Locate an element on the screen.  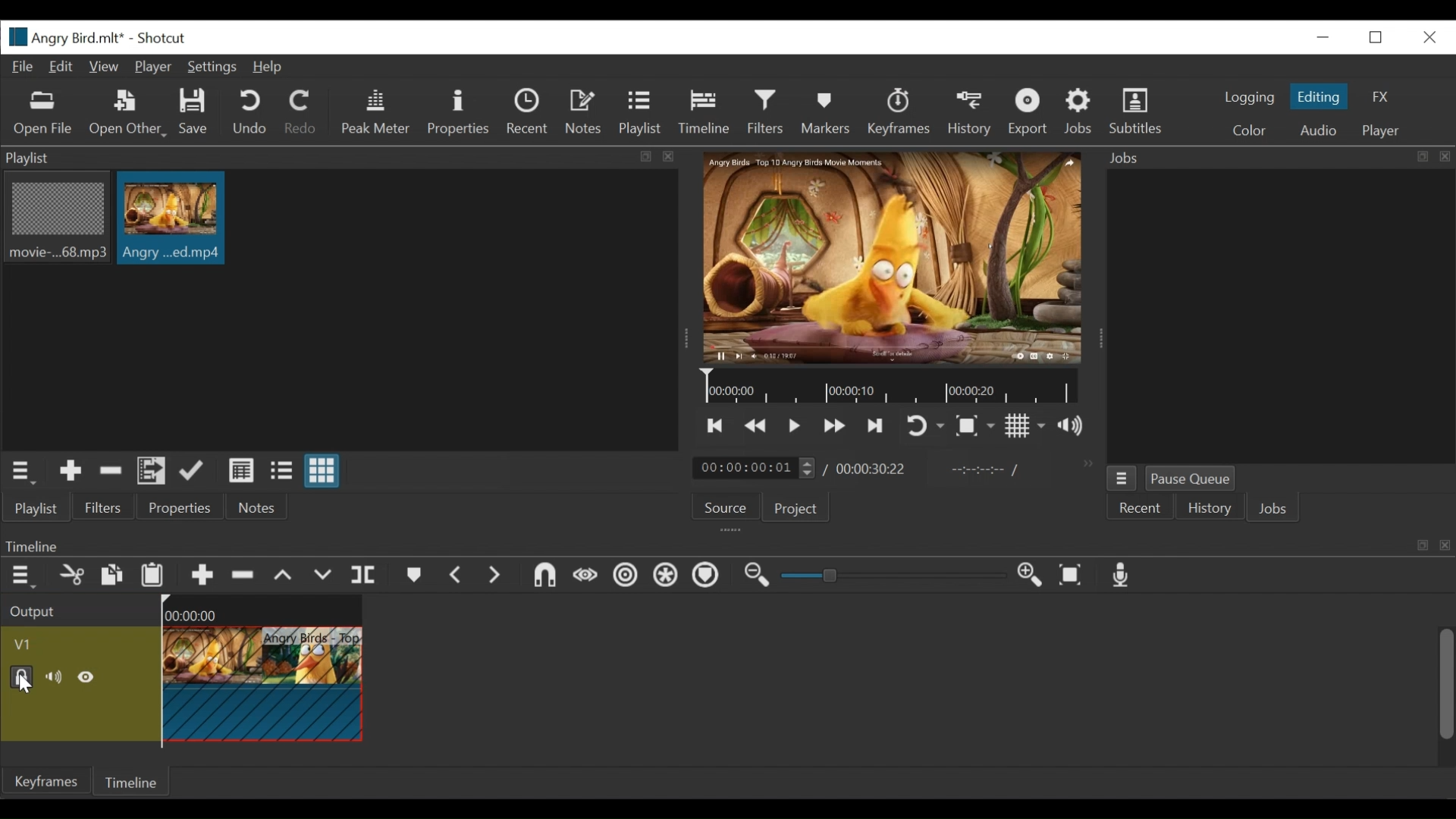
Skip to the previous point is located at coordinates (715, 427).